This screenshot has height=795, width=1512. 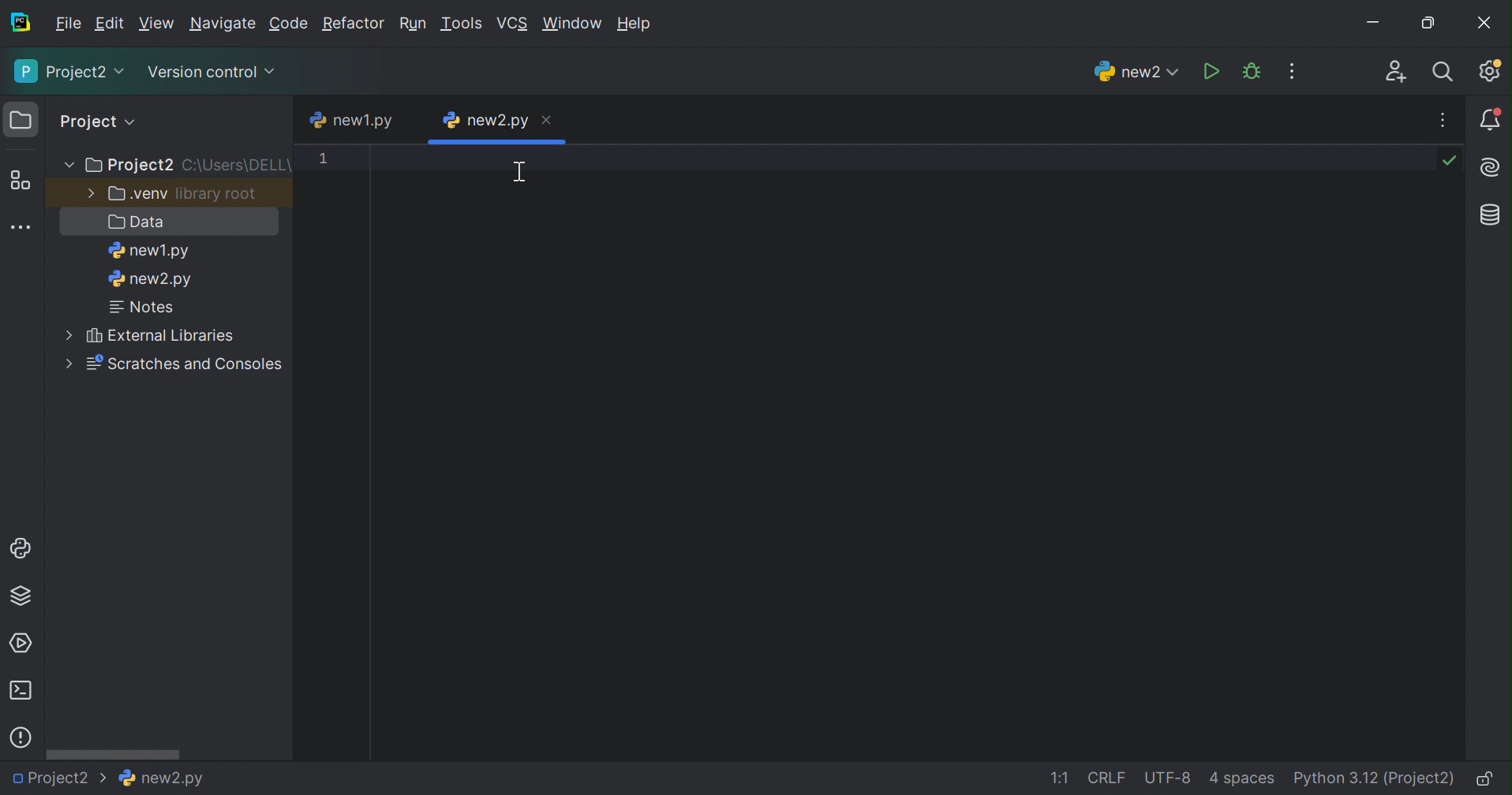 What do you see at coordinates (152, 336) in the screenshot?
I see `External libraries` at bounding box center [152, 336].